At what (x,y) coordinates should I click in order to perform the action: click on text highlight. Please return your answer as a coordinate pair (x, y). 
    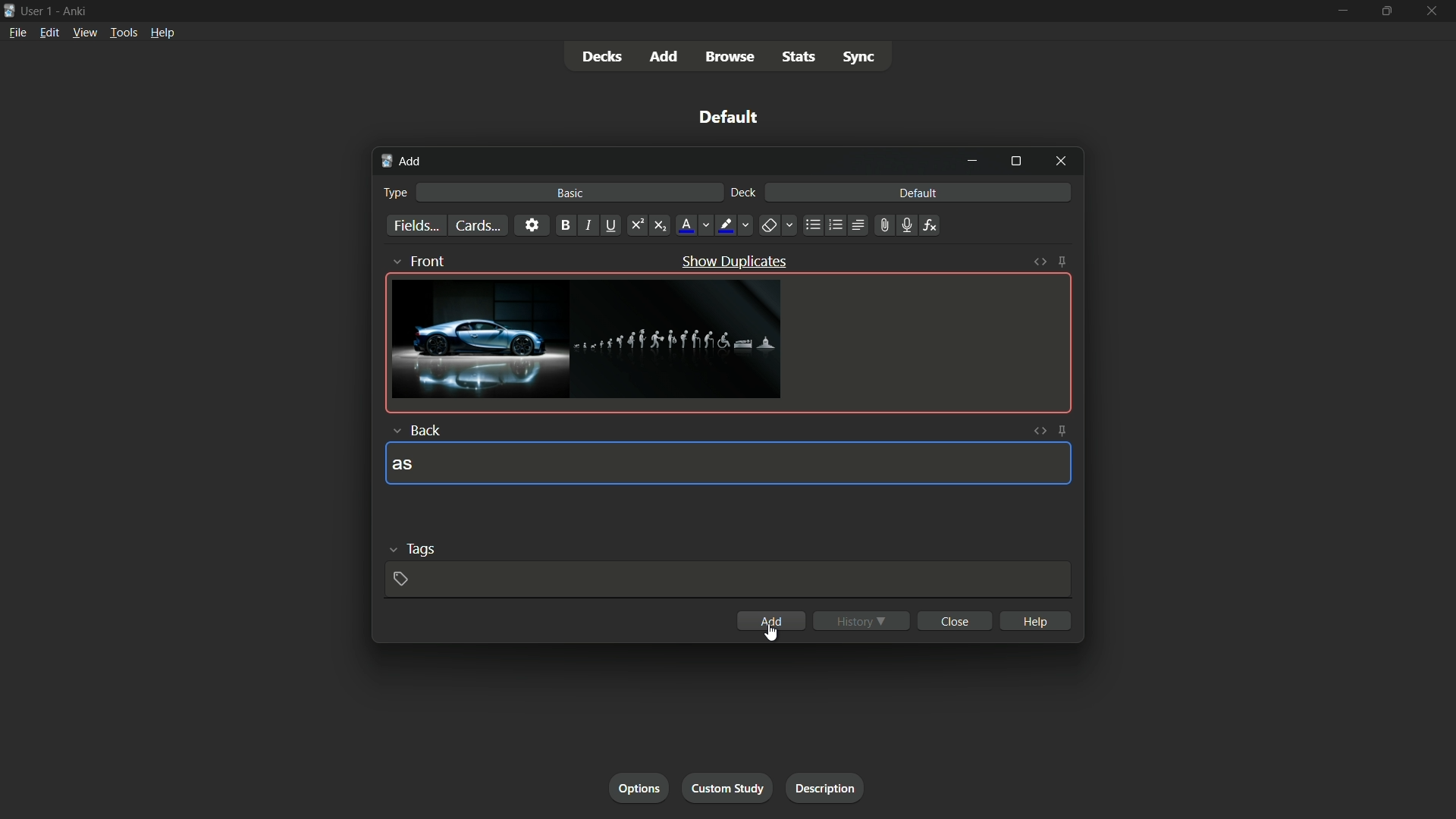
    Looking at the image, I should click on (733, 225).